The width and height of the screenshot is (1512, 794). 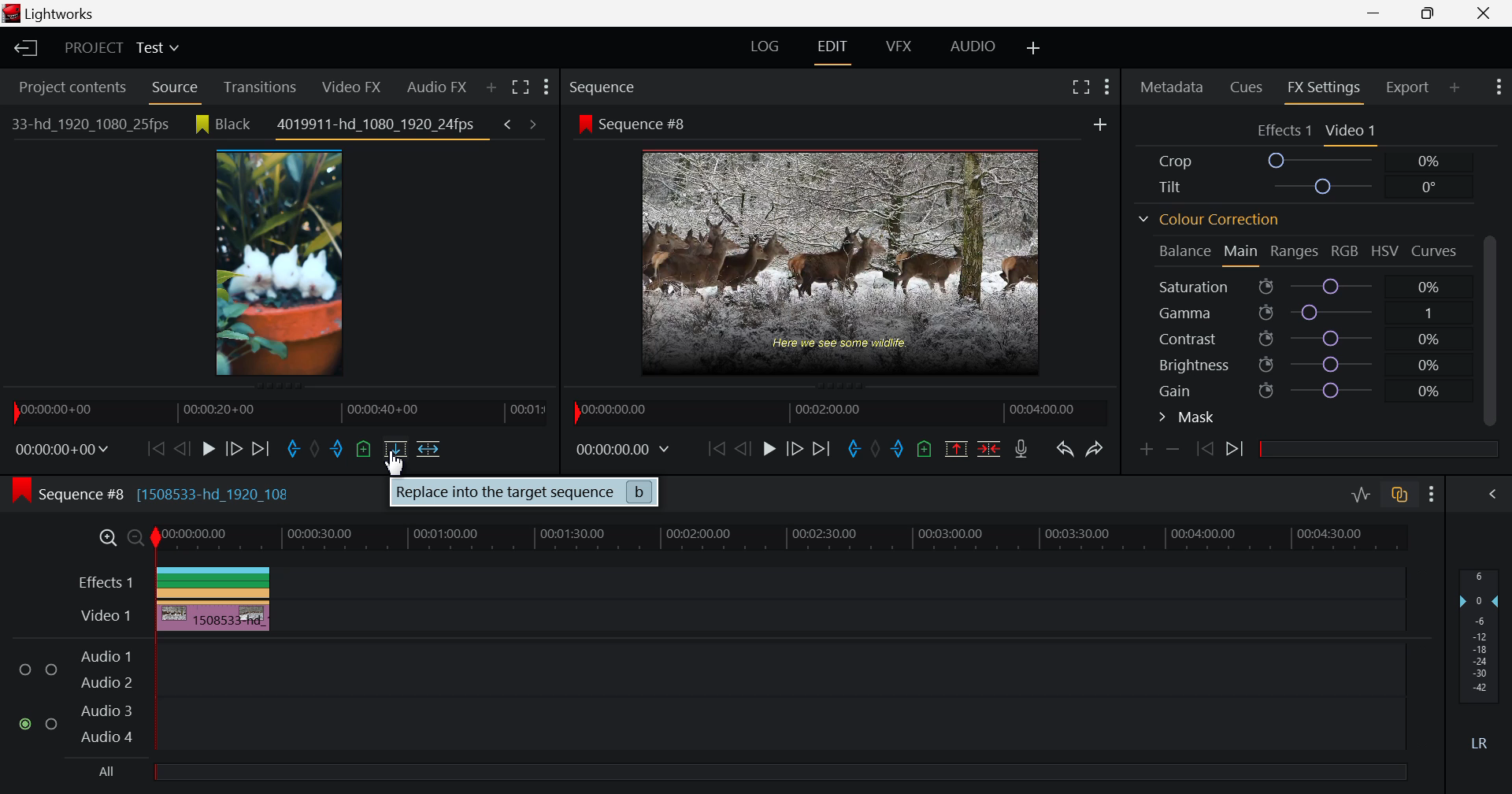 I want to click on Lower keyframe, so click(x=1177, y=449).